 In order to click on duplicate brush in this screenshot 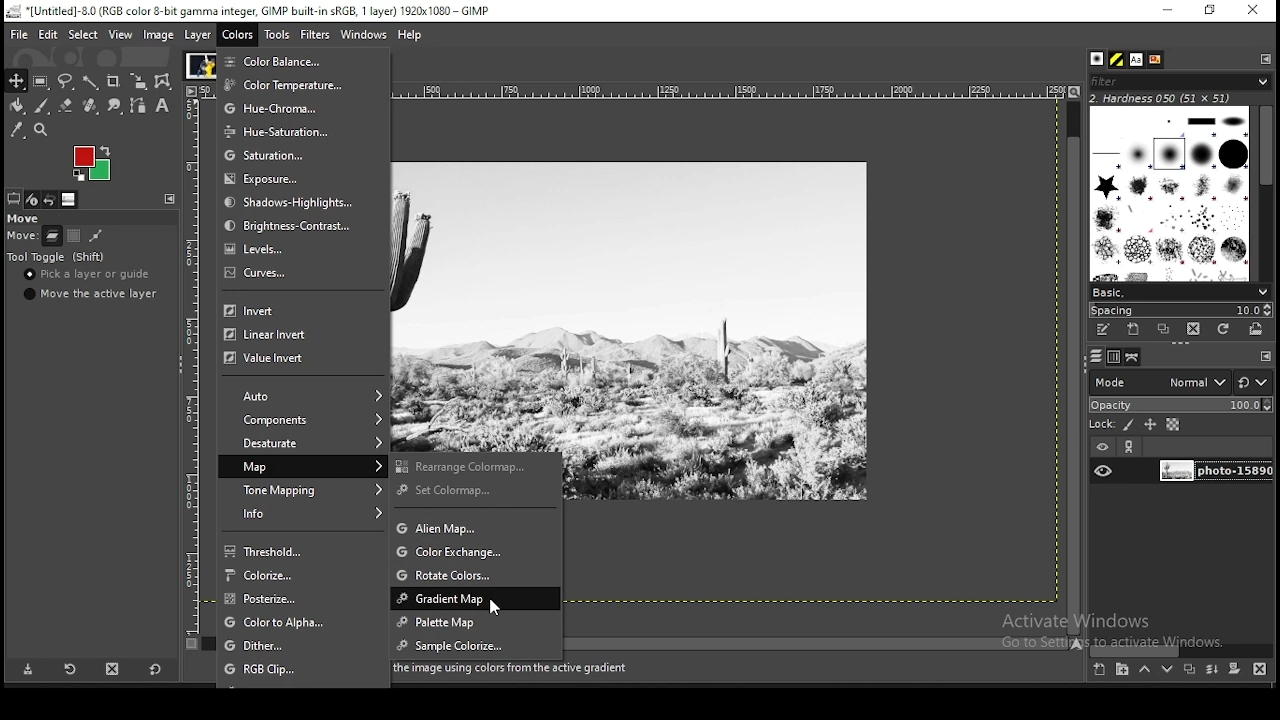, I will do `click(1163, 330)`.